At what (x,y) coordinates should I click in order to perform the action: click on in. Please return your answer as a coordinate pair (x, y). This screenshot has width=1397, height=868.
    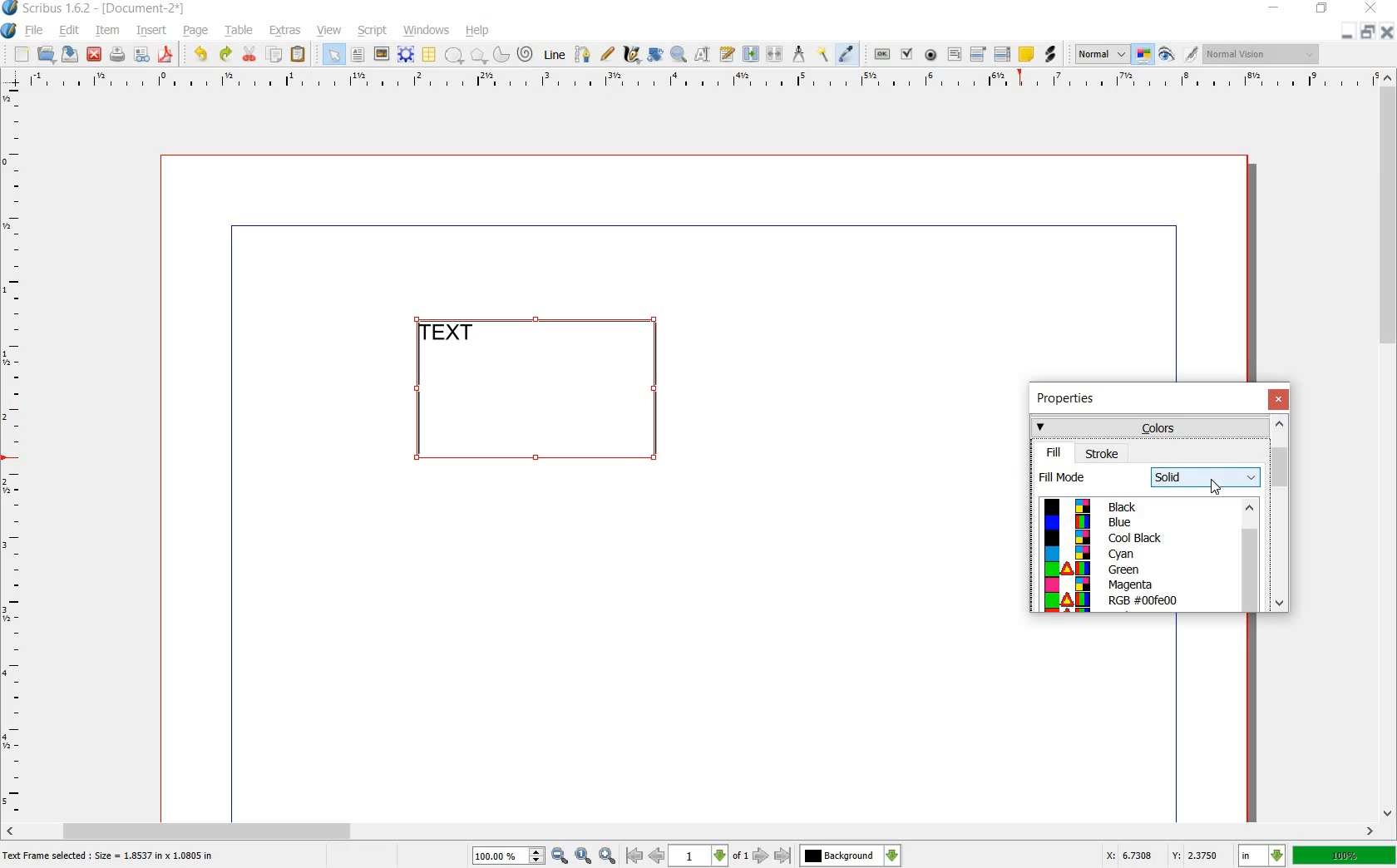
    Looking at the image, I should click on (1263, 856).